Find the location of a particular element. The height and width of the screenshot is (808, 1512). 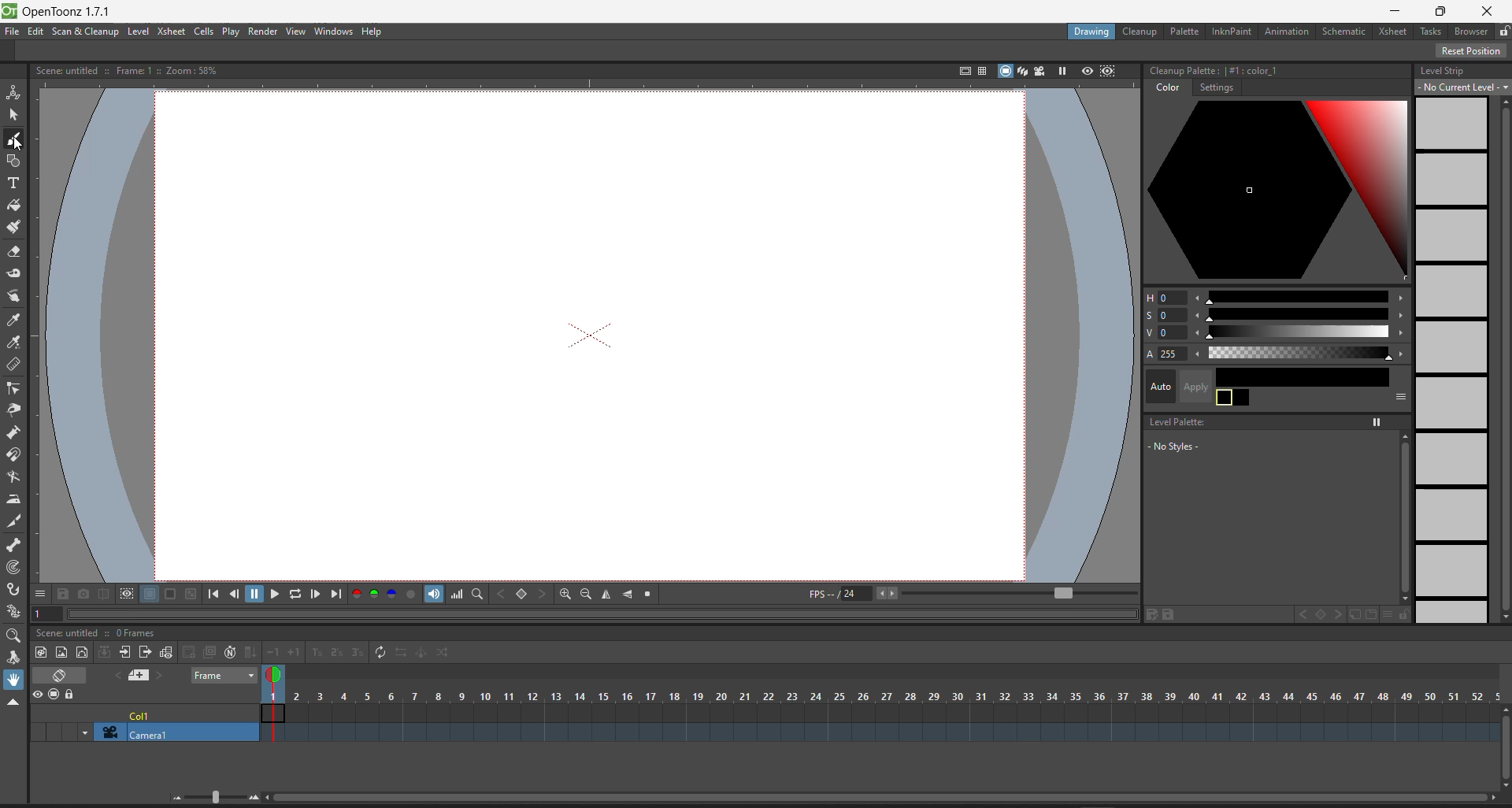

selection tool is located at coordinates (14, 114).